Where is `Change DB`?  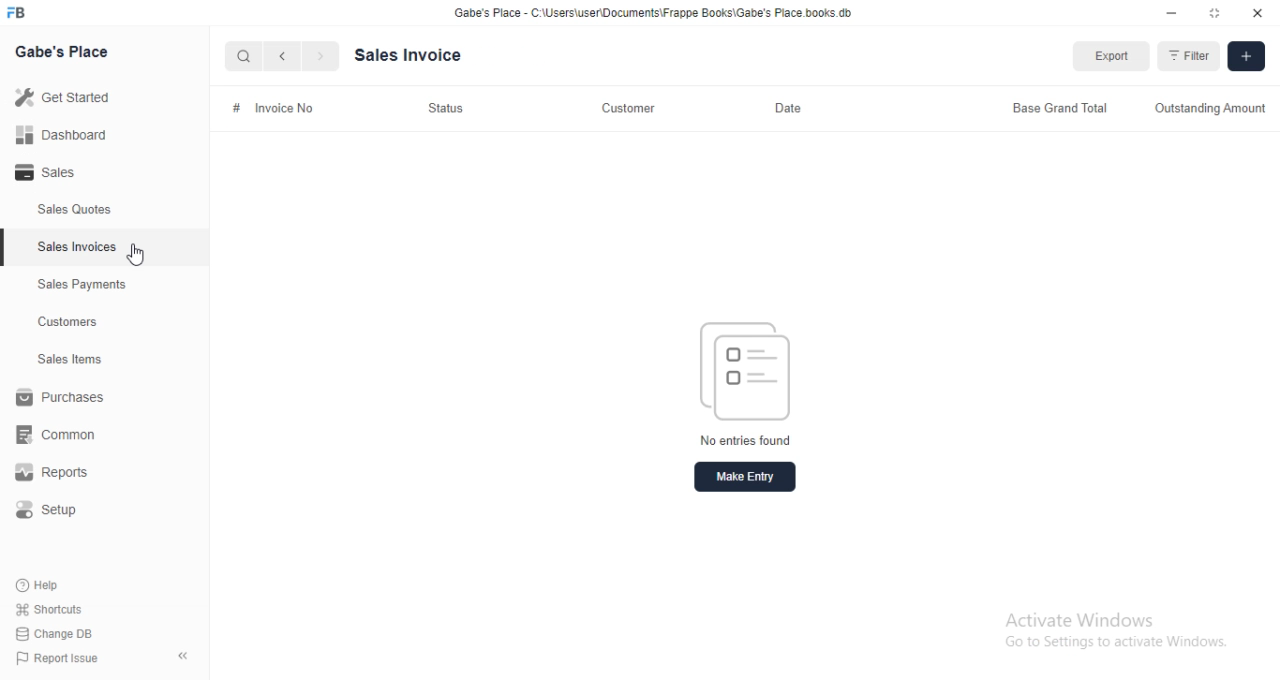
Change DB is located at coordinates (57, 634).